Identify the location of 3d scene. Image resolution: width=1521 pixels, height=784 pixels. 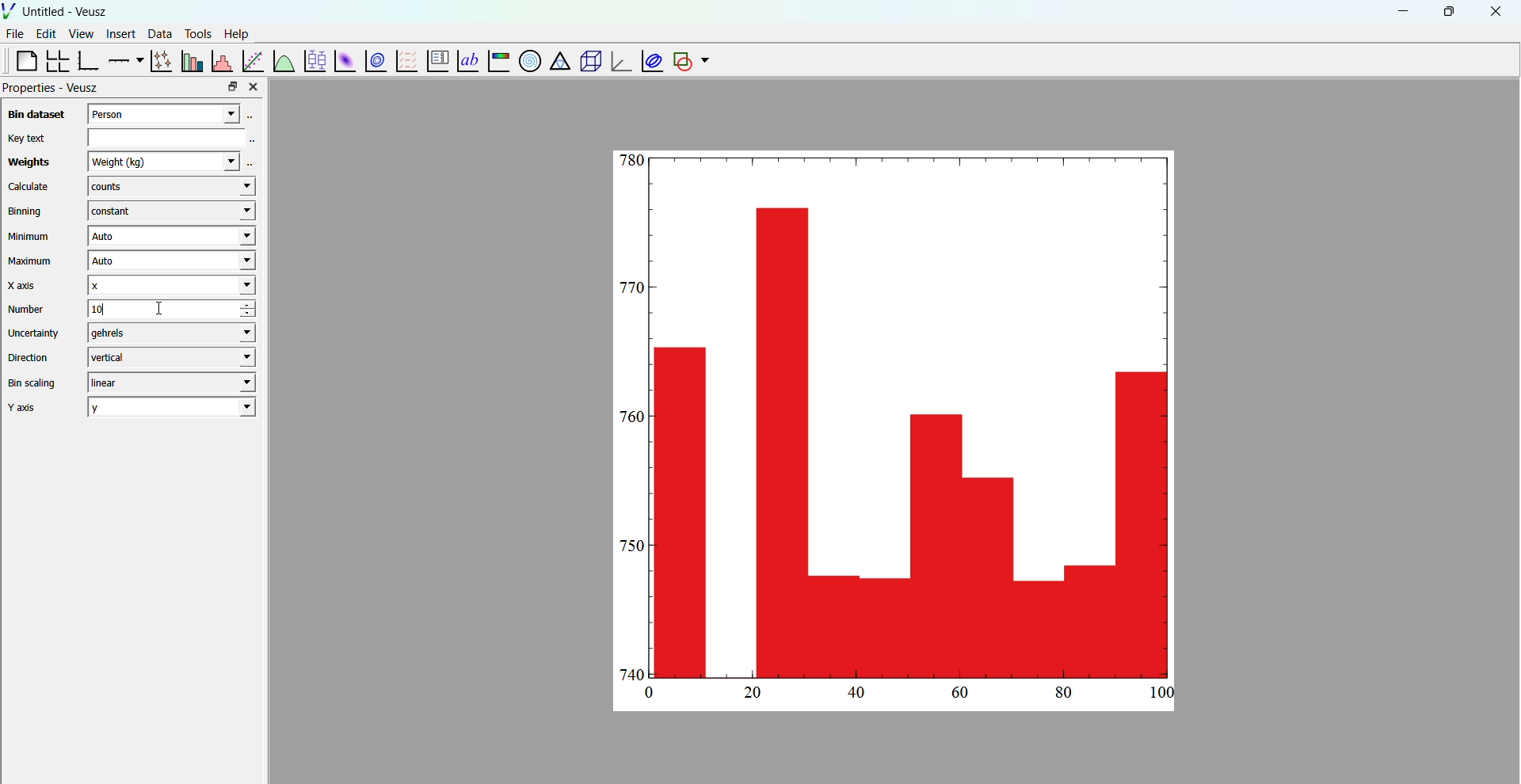
(588, 62).